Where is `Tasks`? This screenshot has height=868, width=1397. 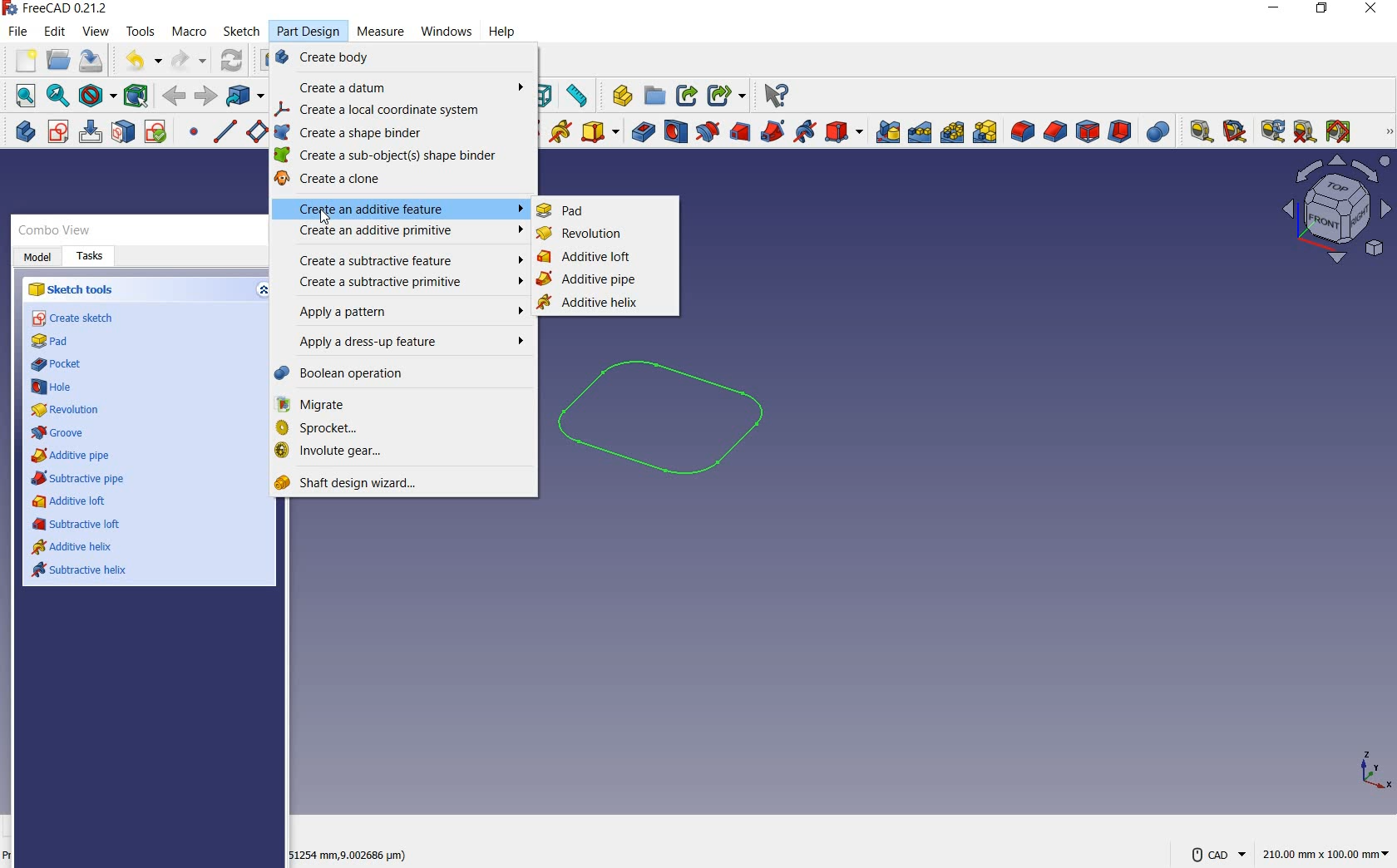
Tasks is located at coordinates (91, 255).